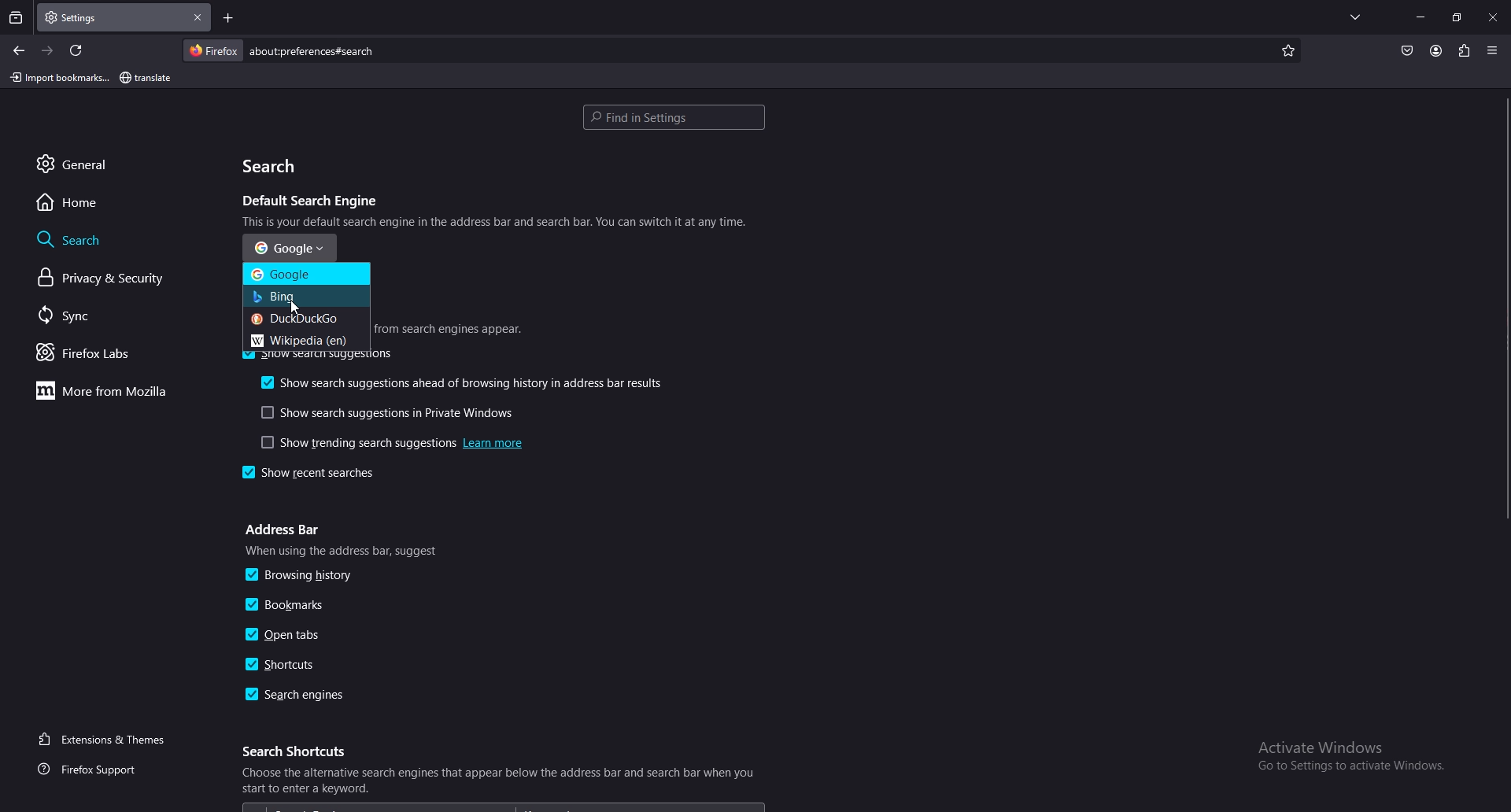  I want to click on options, so click(1494, 49).